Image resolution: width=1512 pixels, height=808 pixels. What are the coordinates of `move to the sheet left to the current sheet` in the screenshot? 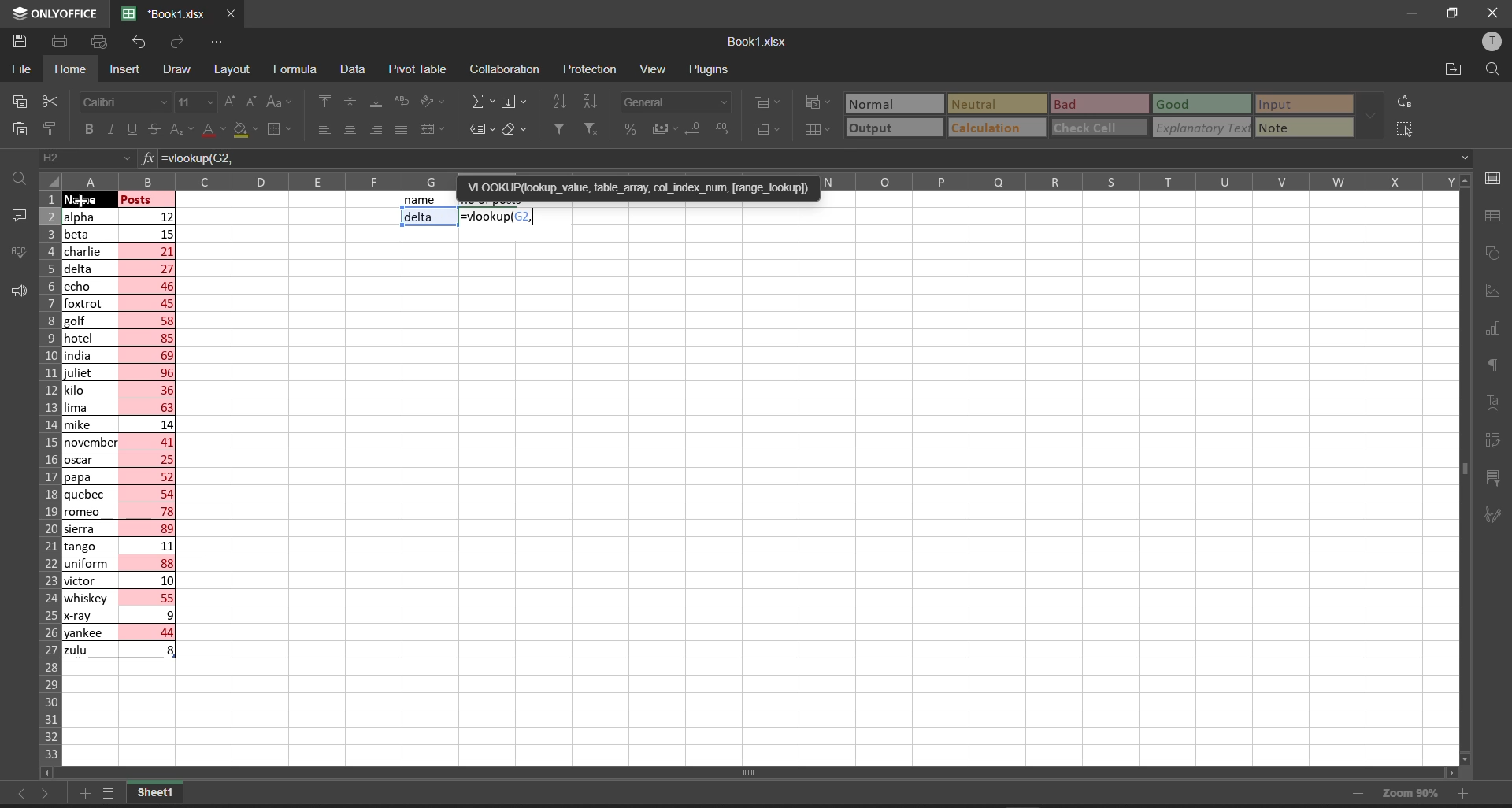 It's located at (18, 794).